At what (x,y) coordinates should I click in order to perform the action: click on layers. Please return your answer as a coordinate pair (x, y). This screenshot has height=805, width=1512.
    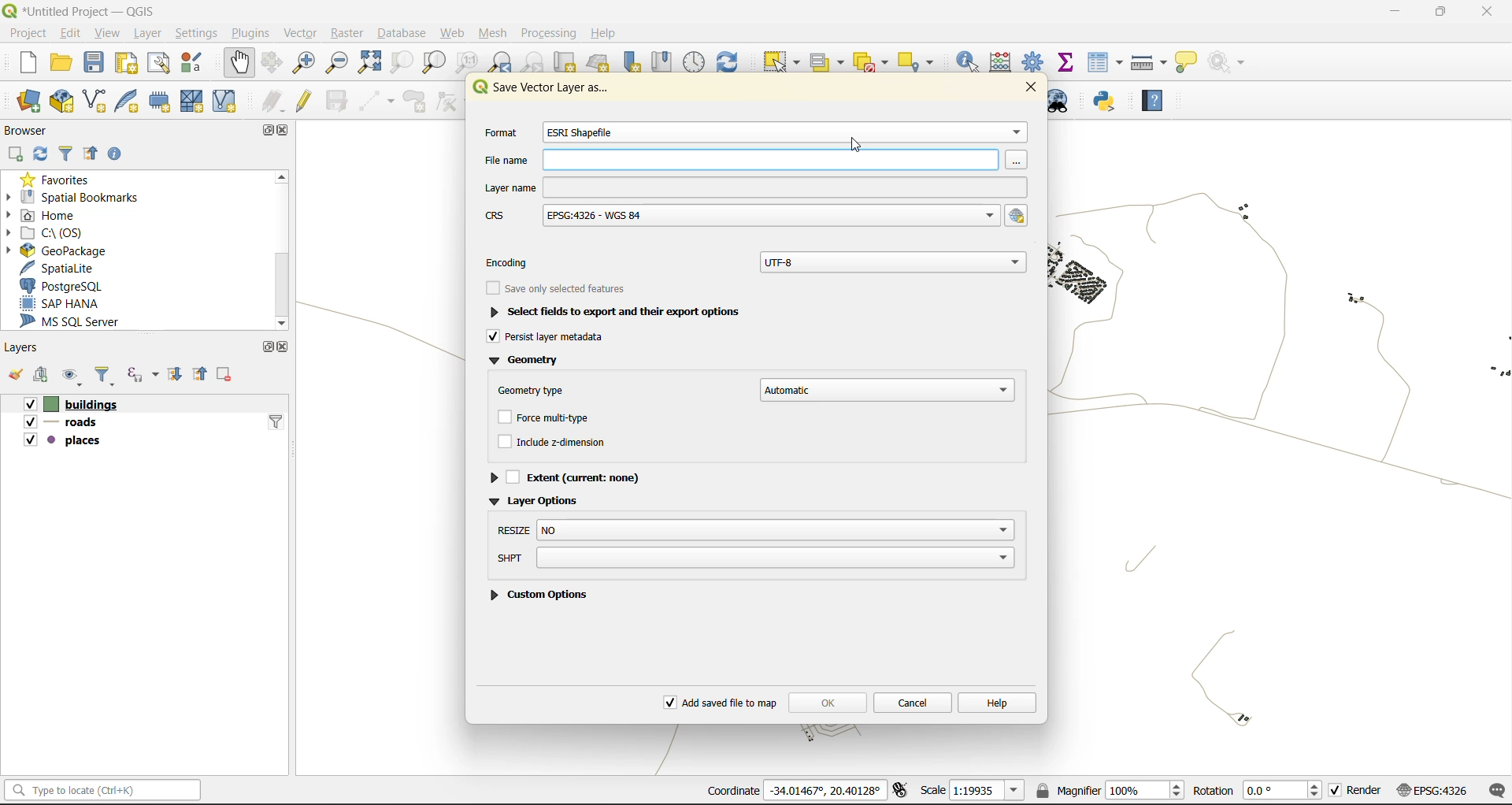
    Looking at the image, I should click on (22, 347).